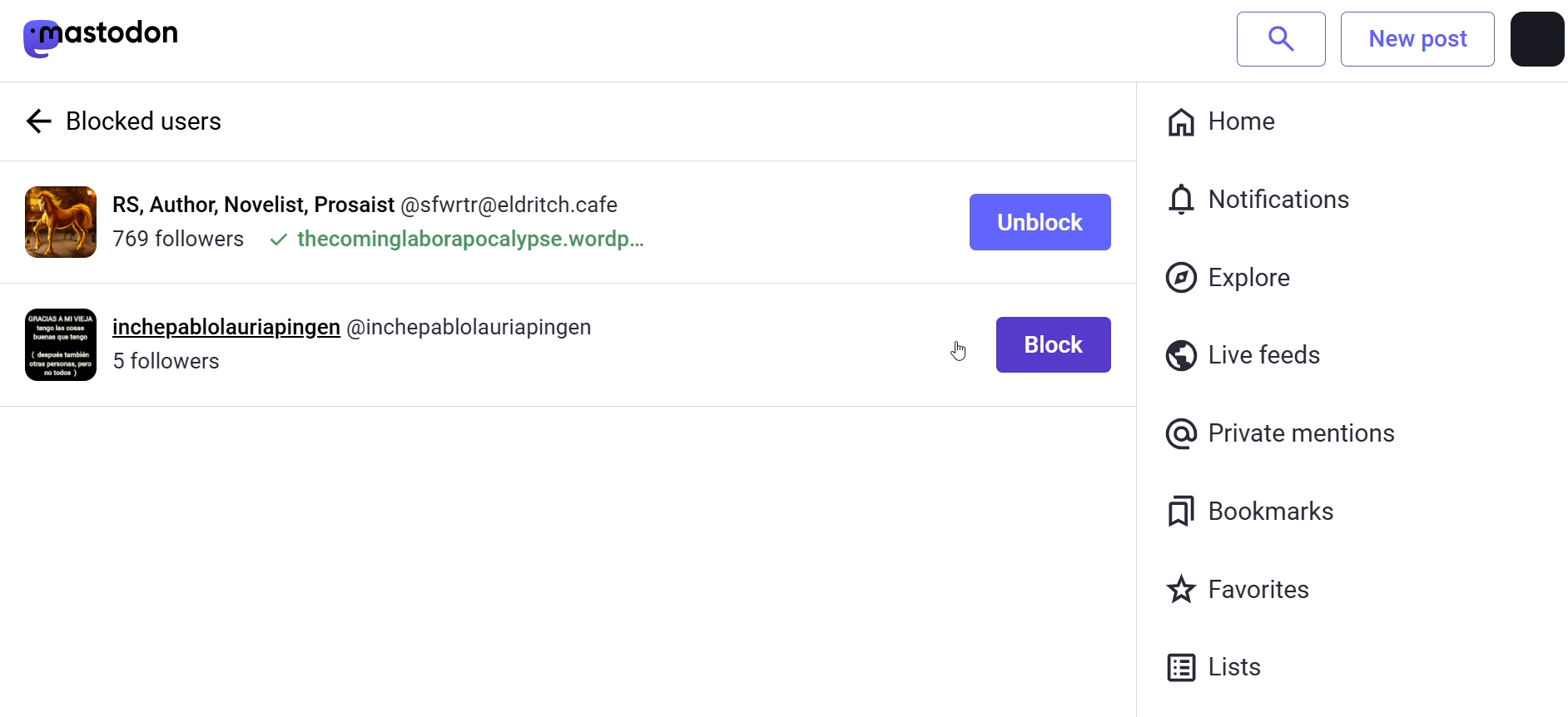 The width and height of the screenshot is (1568, 717). Describe the element at coordinates (375, 342) in the screenshot. I see `inchepablolauriapingen @inchepablolauriapingen
5 followers` at that location.